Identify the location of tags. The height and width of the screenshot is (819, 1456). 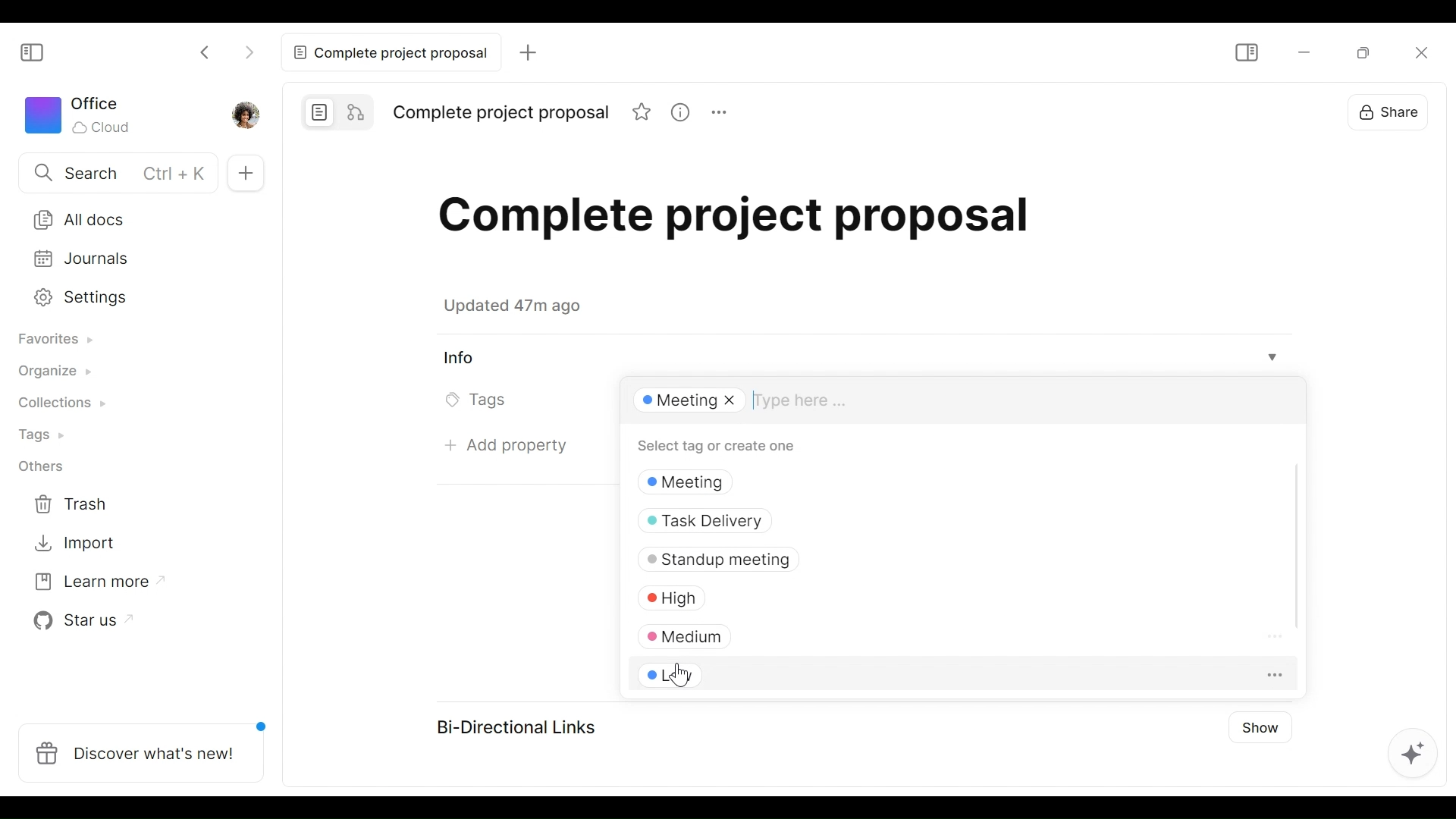
(852, 482).